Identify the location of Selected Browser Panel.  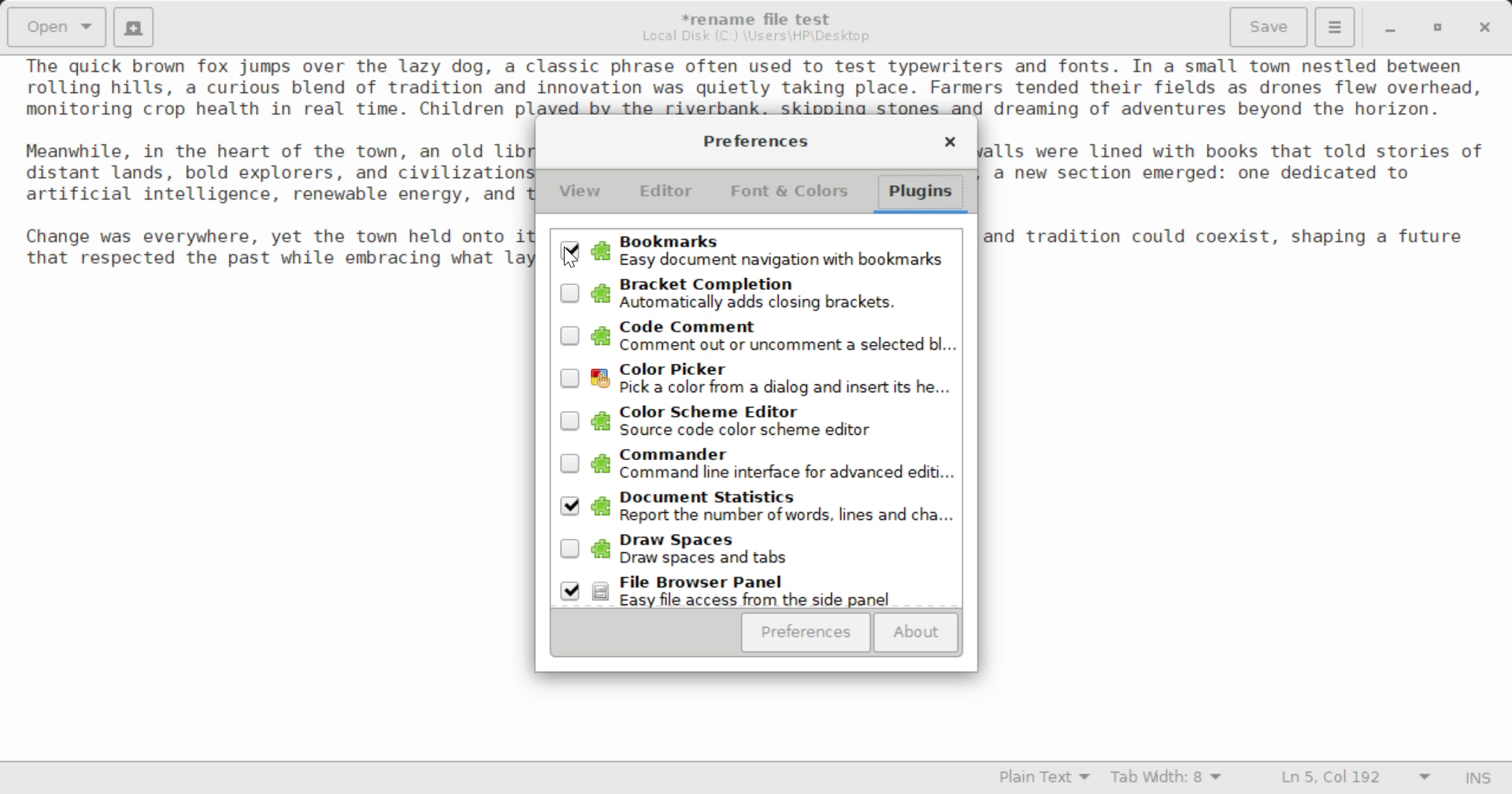
(757, 590).